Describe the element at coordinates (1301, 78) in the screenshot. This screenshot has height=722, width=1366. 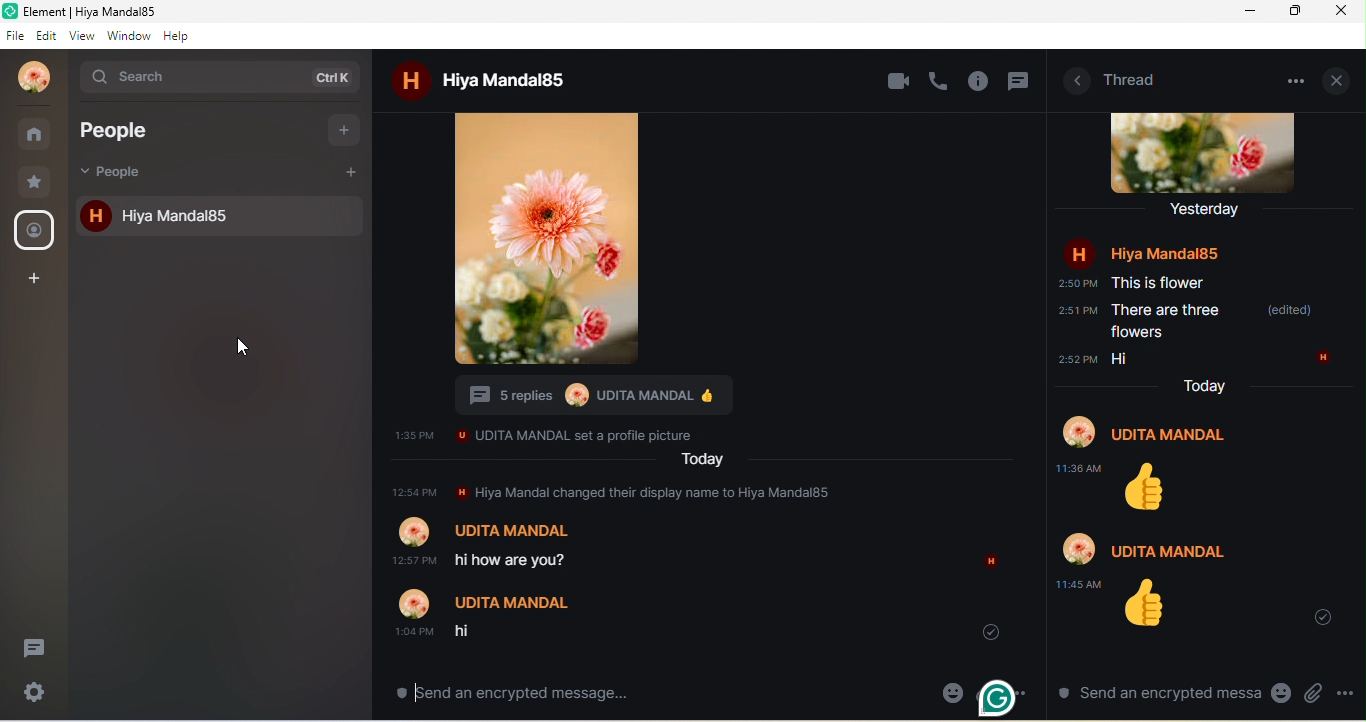
I see `option` at that location.